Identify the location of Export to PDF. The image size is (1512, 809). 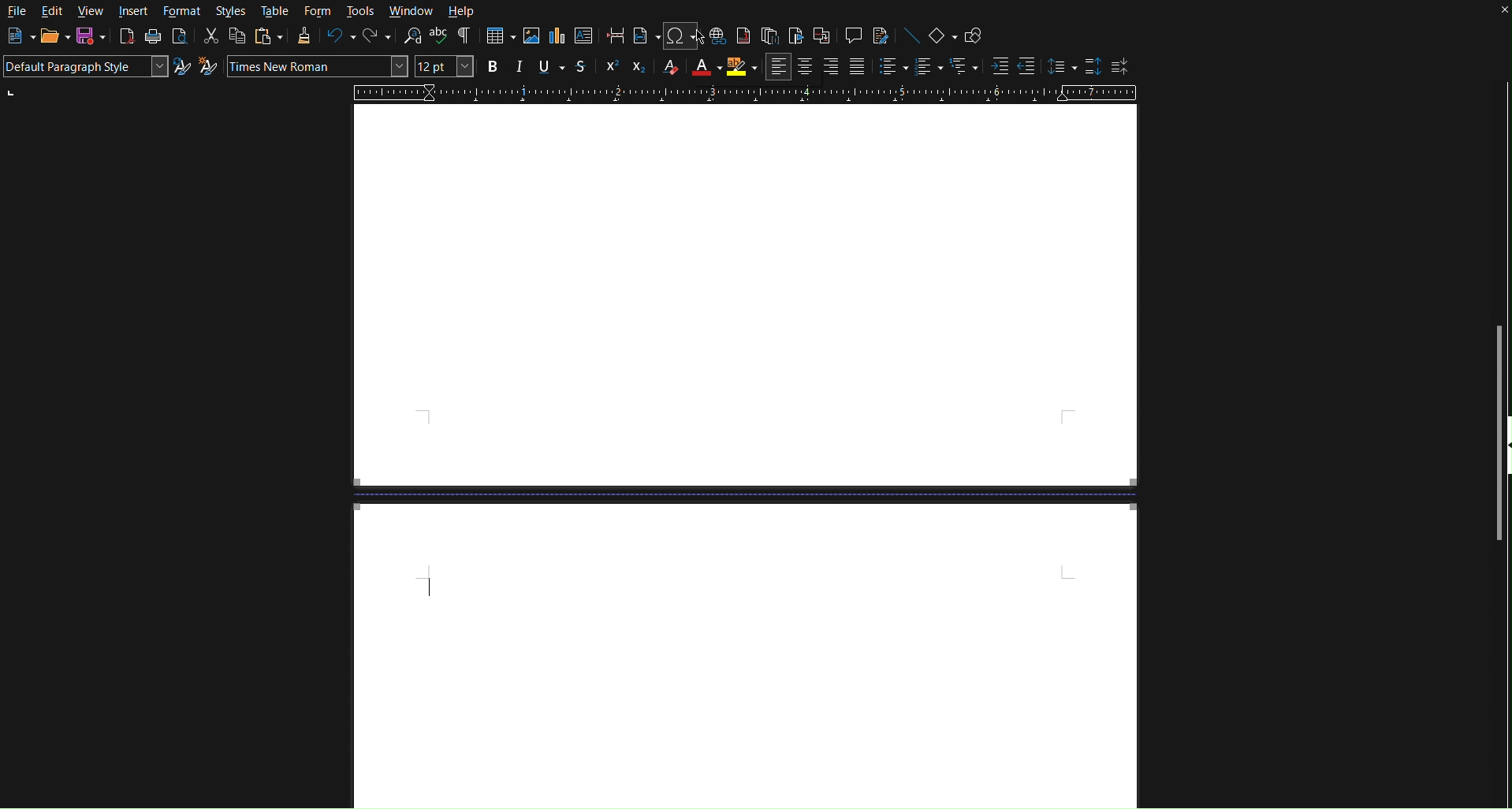
(125, 39).